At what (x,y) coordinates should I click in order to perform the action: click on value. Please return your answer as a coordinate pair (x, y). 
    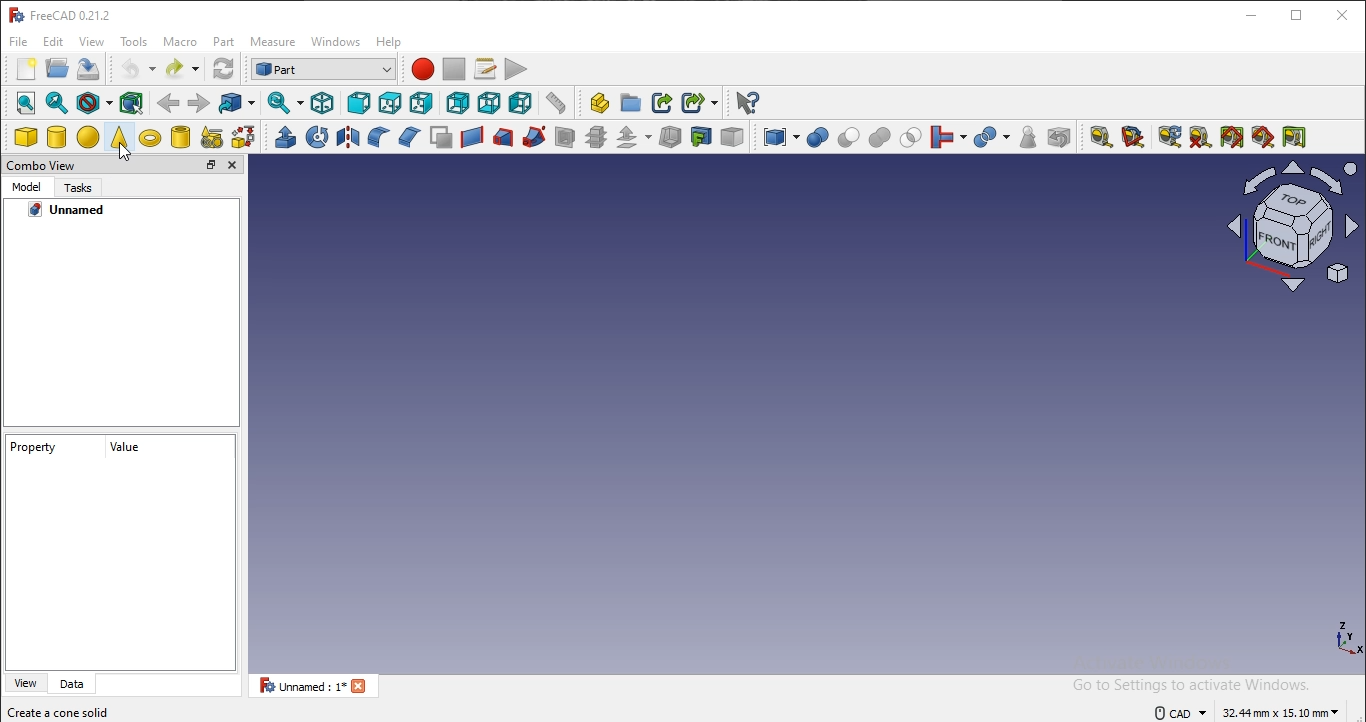
    Looking at the image, I should click on (130, 445).